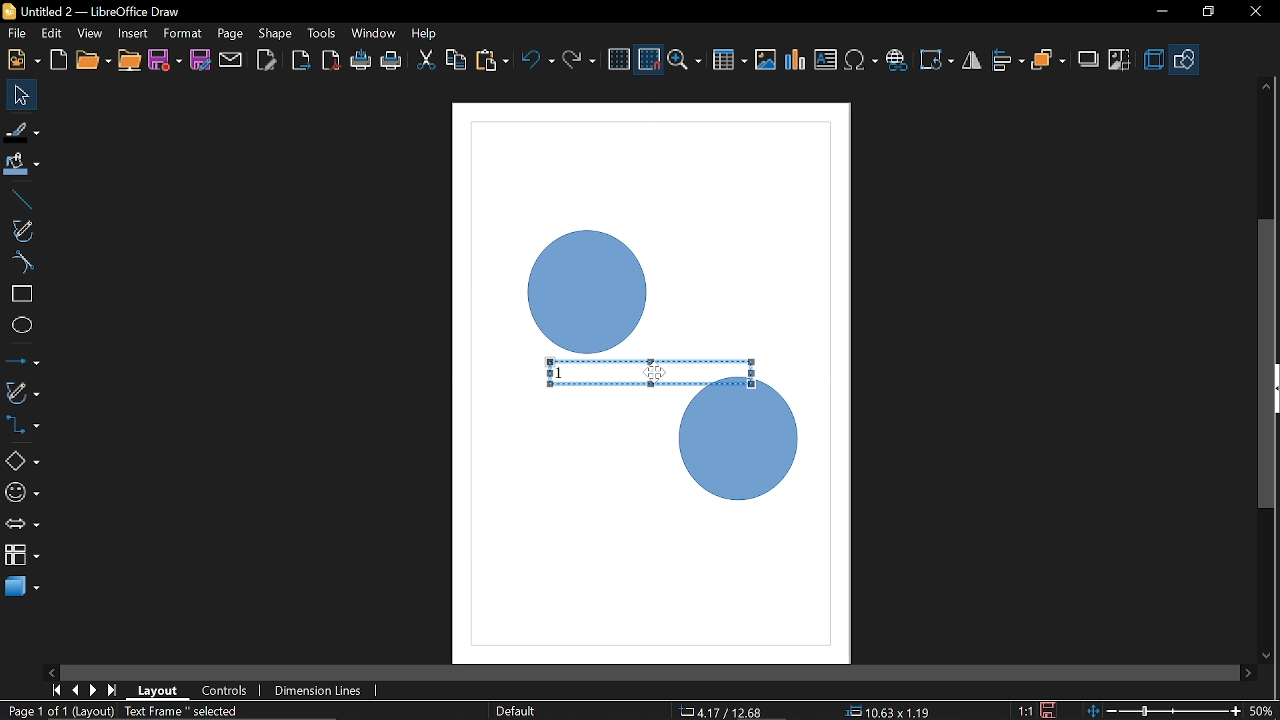 This screenshot has height=720, width=1280. What do you see at coordinates (1267, 281) in the screenshot?
I see `vertical scrollbar` at bounding box center [1267, 281].